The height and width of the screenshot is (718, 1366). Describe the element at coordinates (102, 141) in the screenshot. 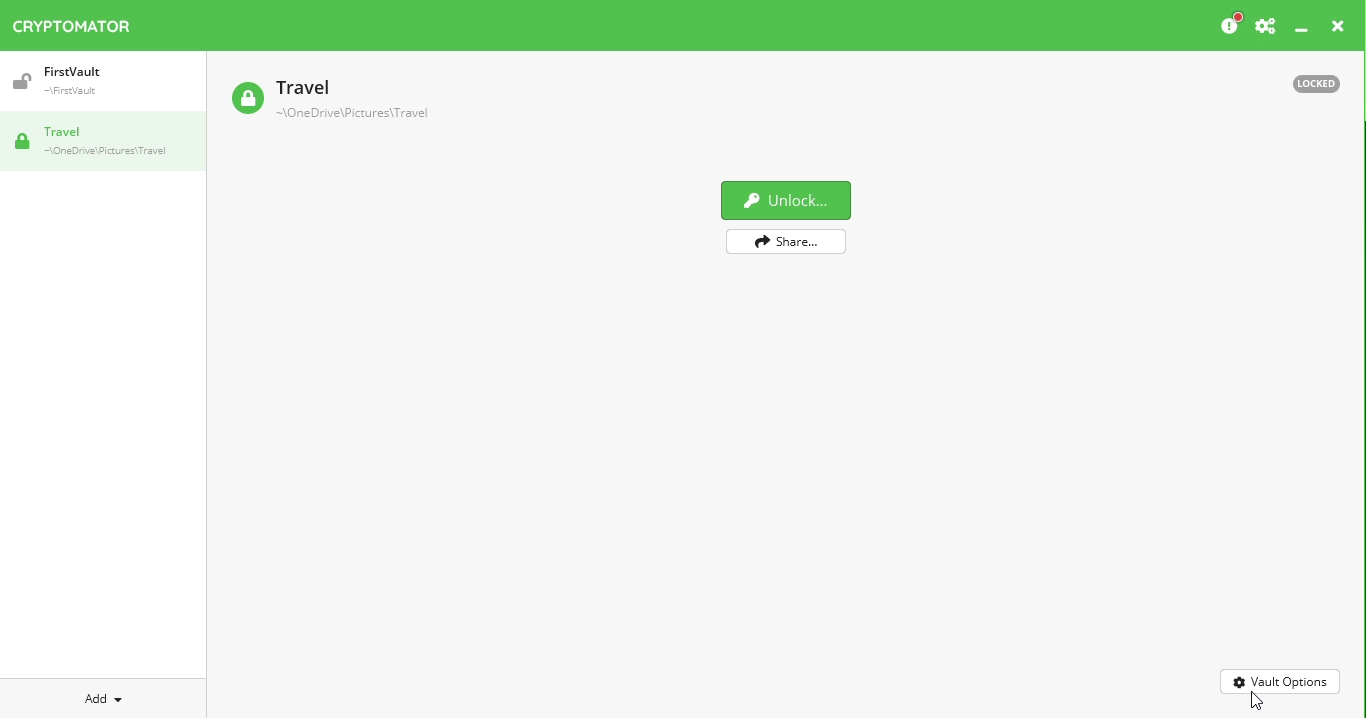

I see `Vault` at that location.